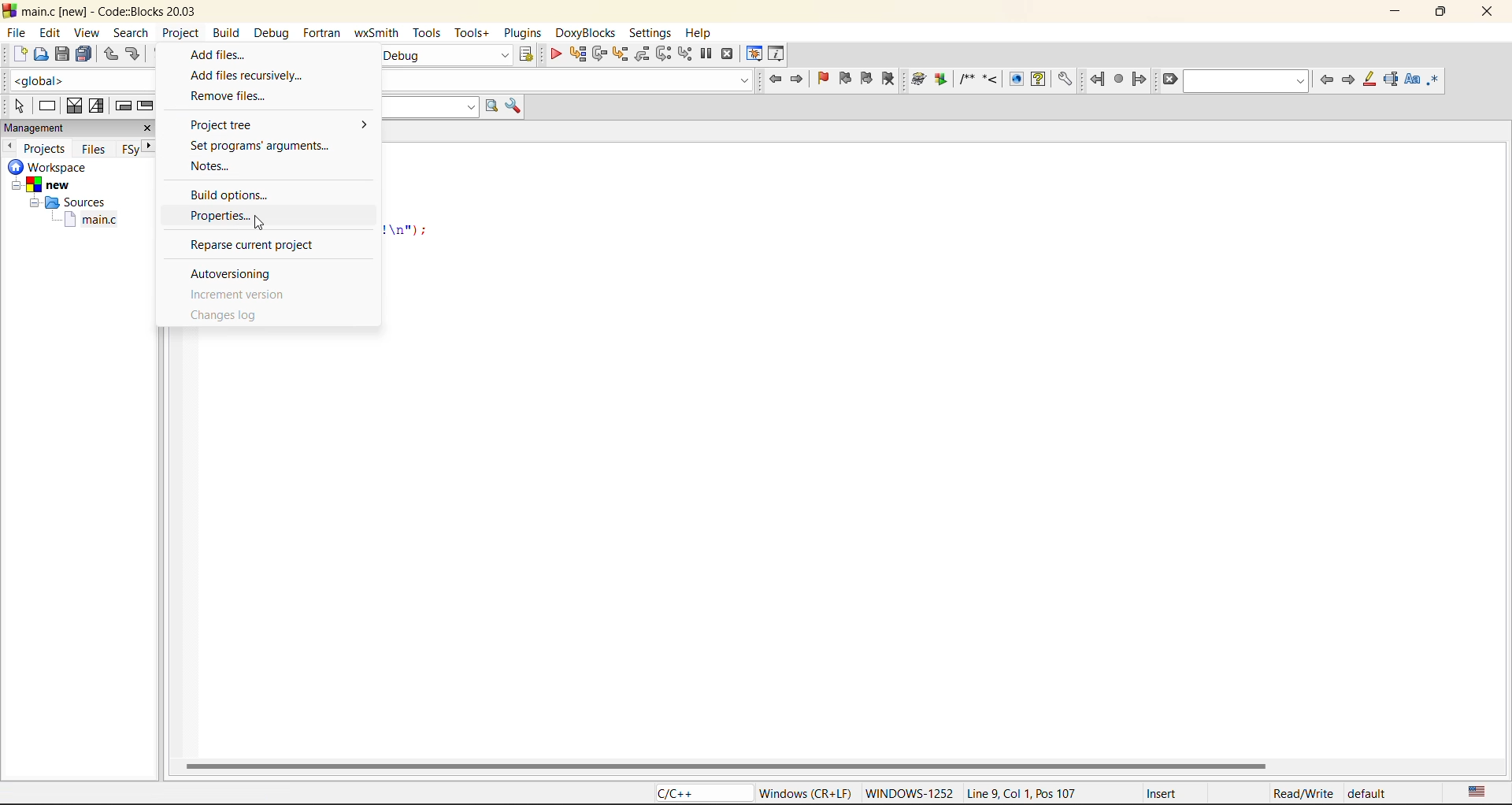 The image size is (1512, 805). What do you see at coordinates (94, 222) in the screenshot?
I see `main.c` at bounding box center [94, 222].